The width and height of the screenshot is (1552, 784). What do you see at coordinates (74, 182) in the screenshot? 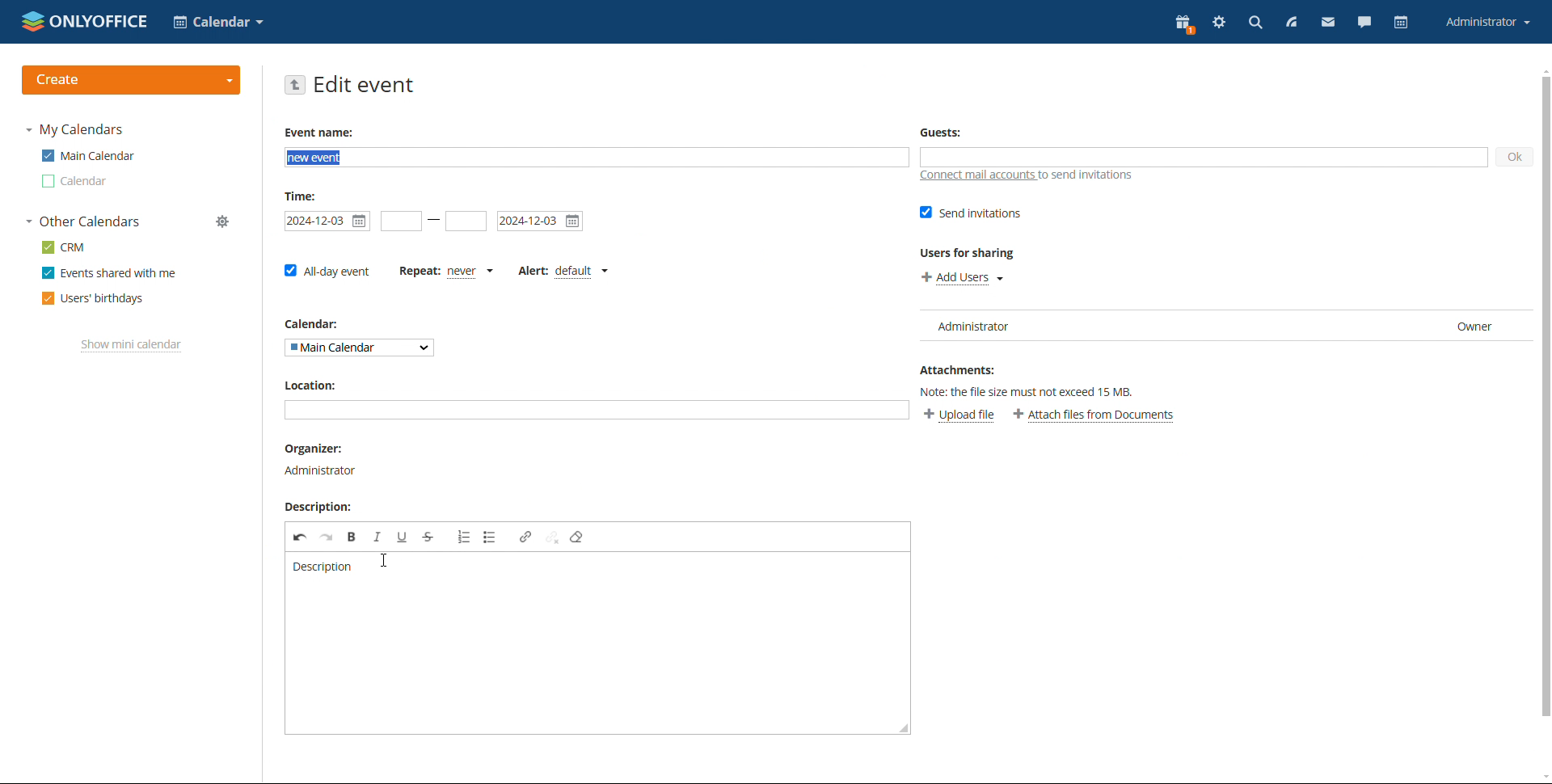
I see `other calendar` at bounding box center [74, 182].